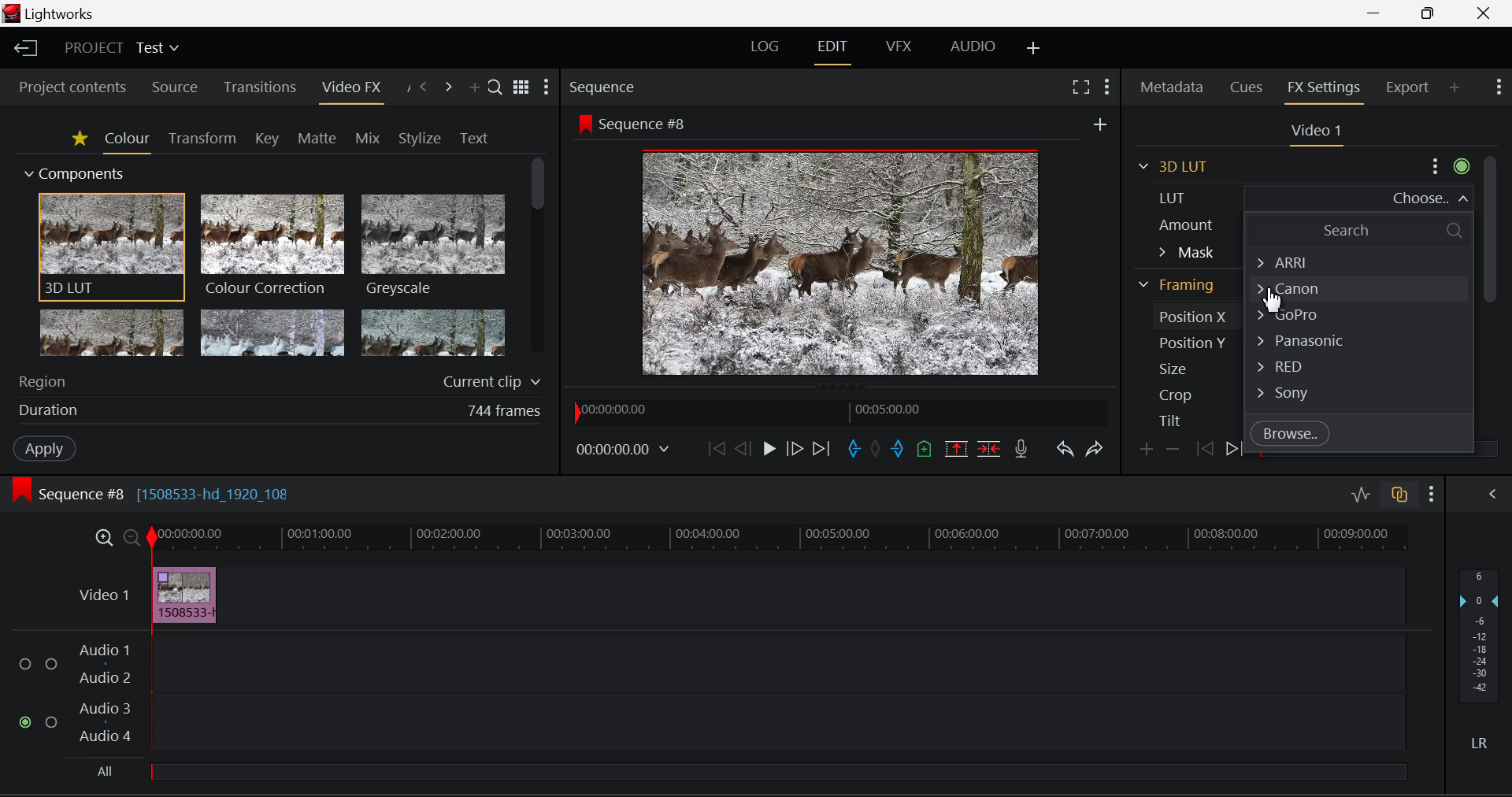  I want to click on Apply, so click(42, 449).